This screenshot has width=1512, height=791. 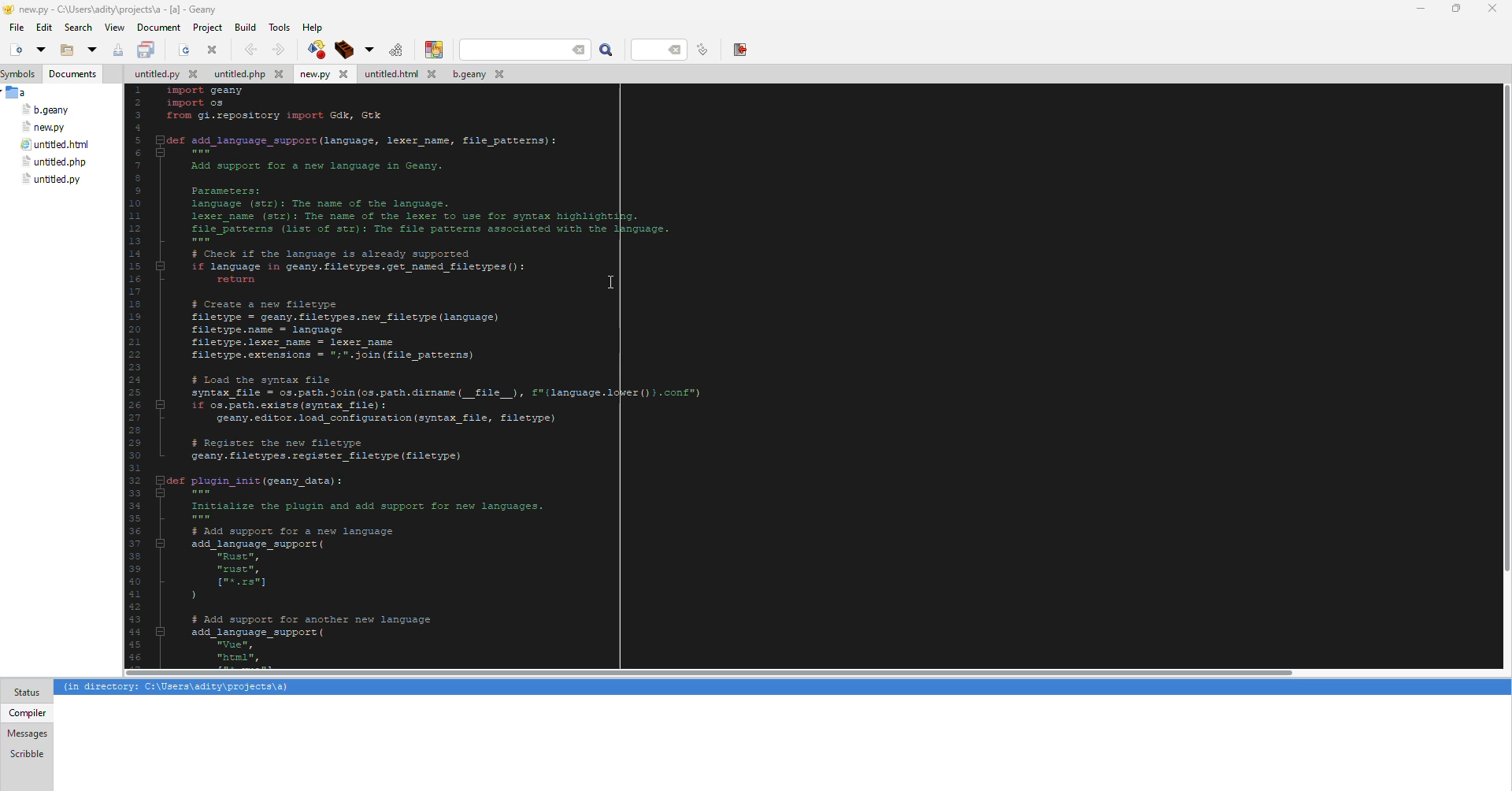 I want to click on compiler, so click(x=27, y=713).